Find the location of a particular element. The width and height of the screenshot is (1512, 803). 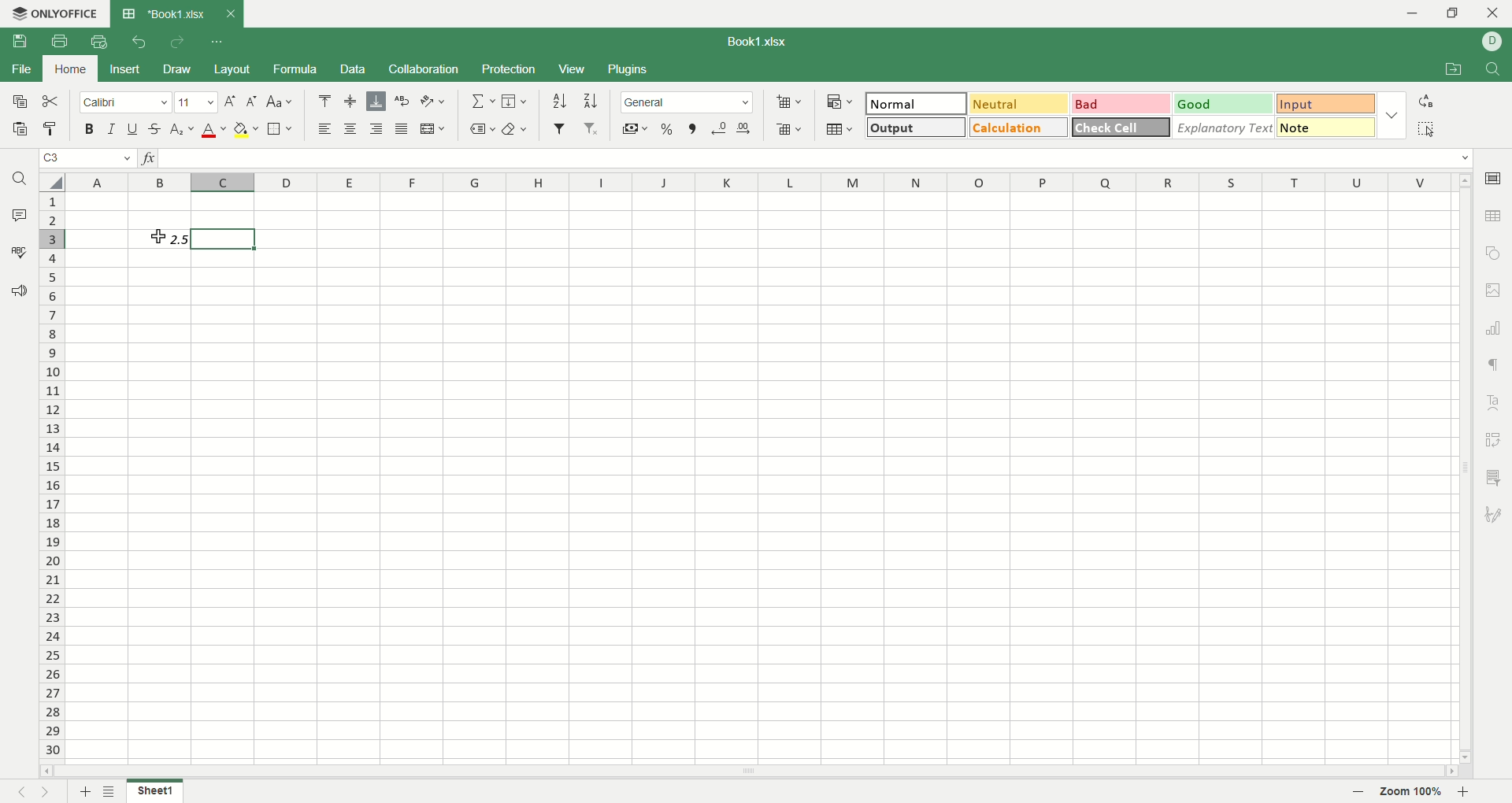

closes is located at coordinates (228, 13).